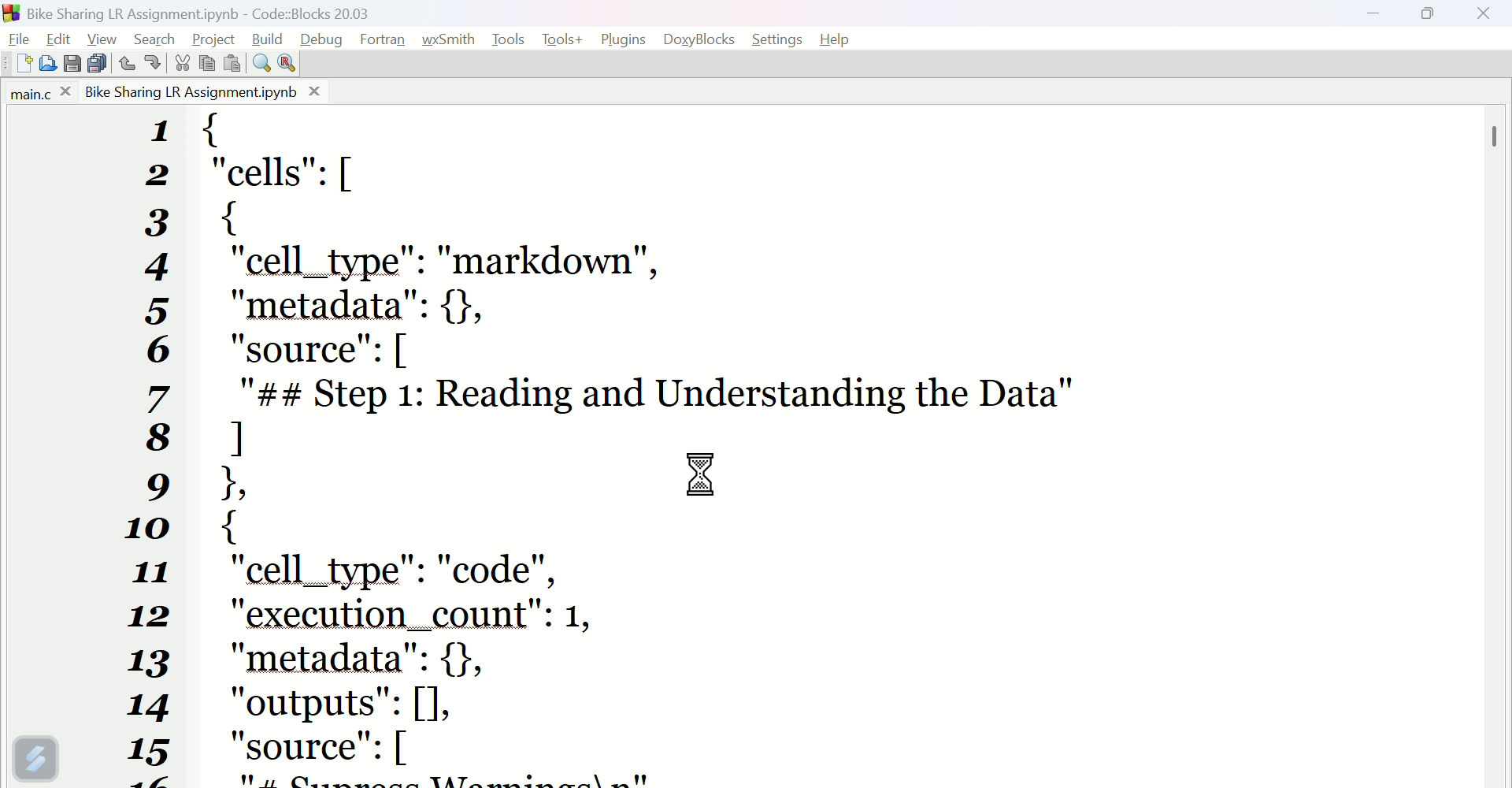 Image resolution: width=1512 pixels, height=788 pixels. Describe the element at coordinates (161, 448) in the screenshot. I see `Numbers` at that location.